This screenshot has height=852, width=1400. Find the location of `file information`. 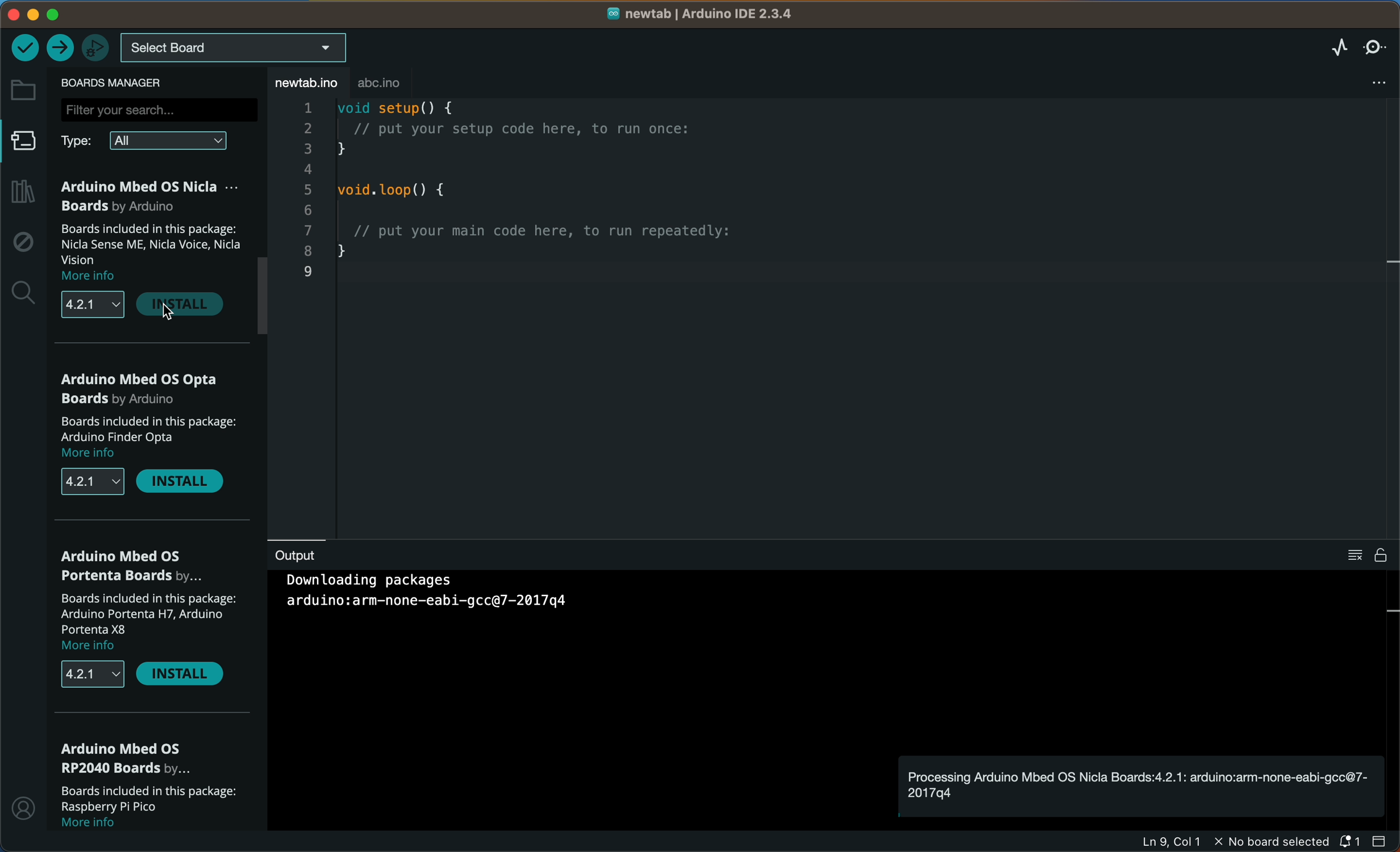

file information is located at coordinates (1207, 842).